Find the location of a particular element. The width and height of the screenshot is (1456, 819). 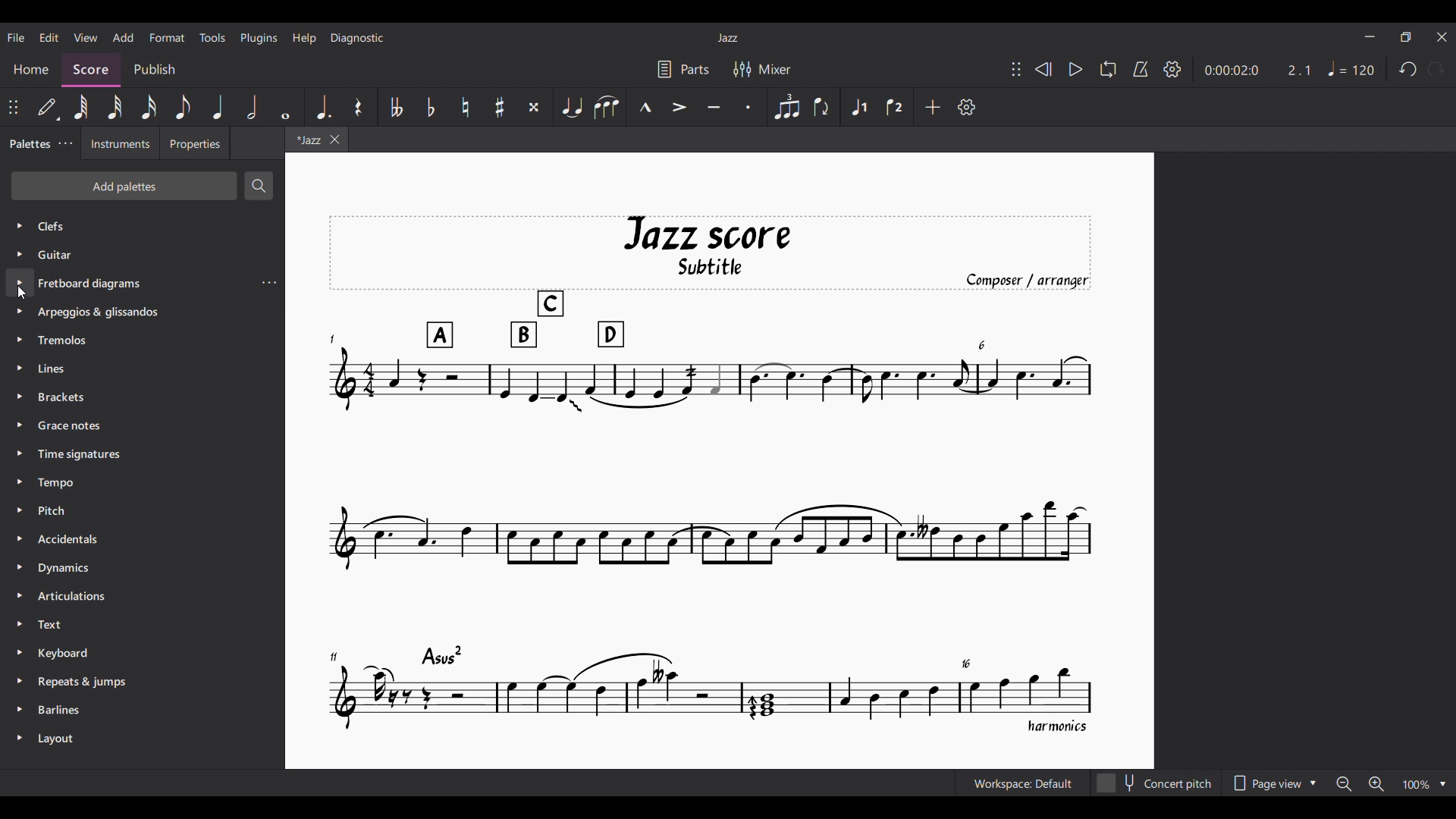

Text is located at coordinates (58, 626).